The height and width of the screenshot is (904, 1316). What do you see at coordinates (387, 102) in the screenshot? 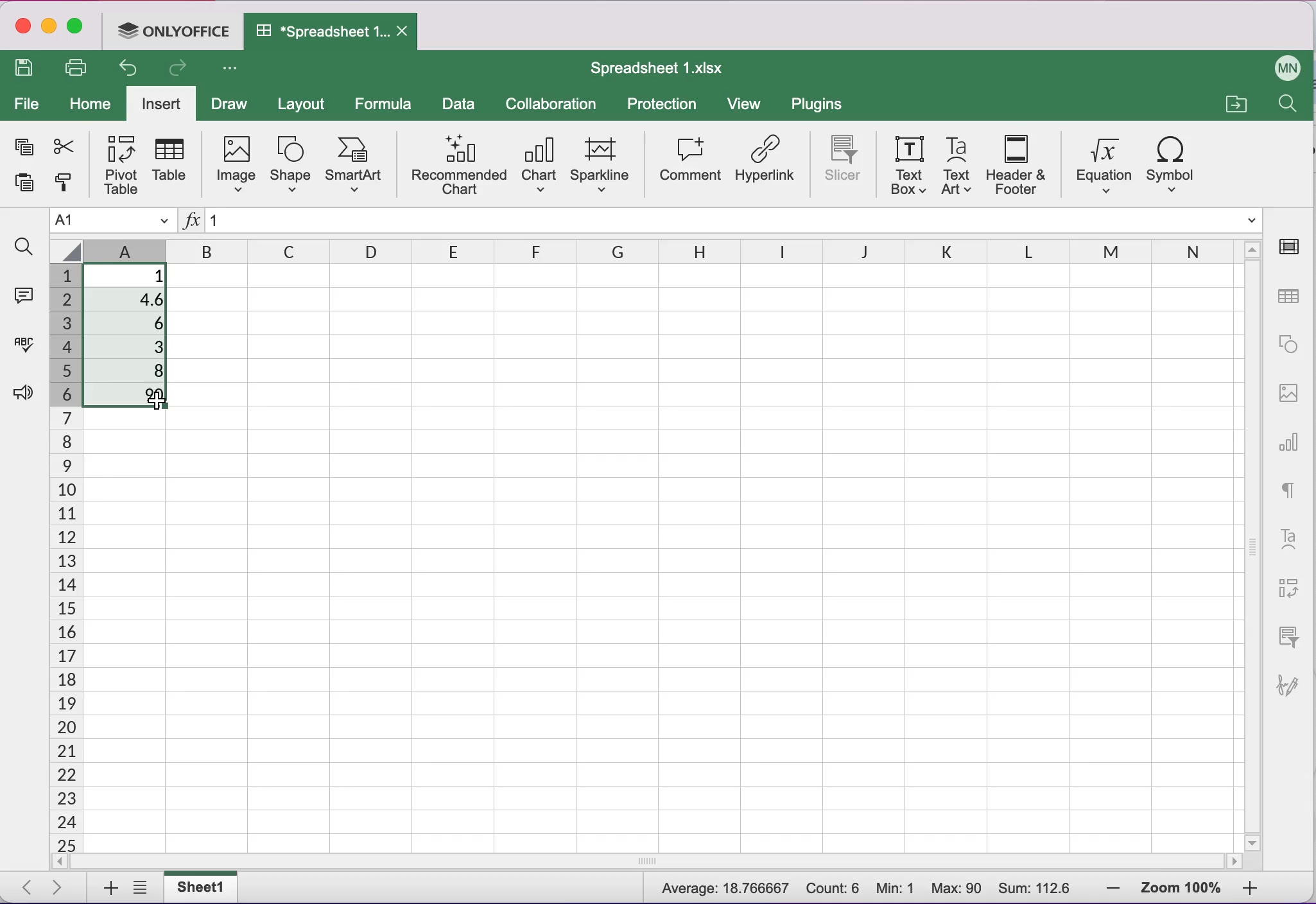
I see `formula` at bounding box center [387, 102].